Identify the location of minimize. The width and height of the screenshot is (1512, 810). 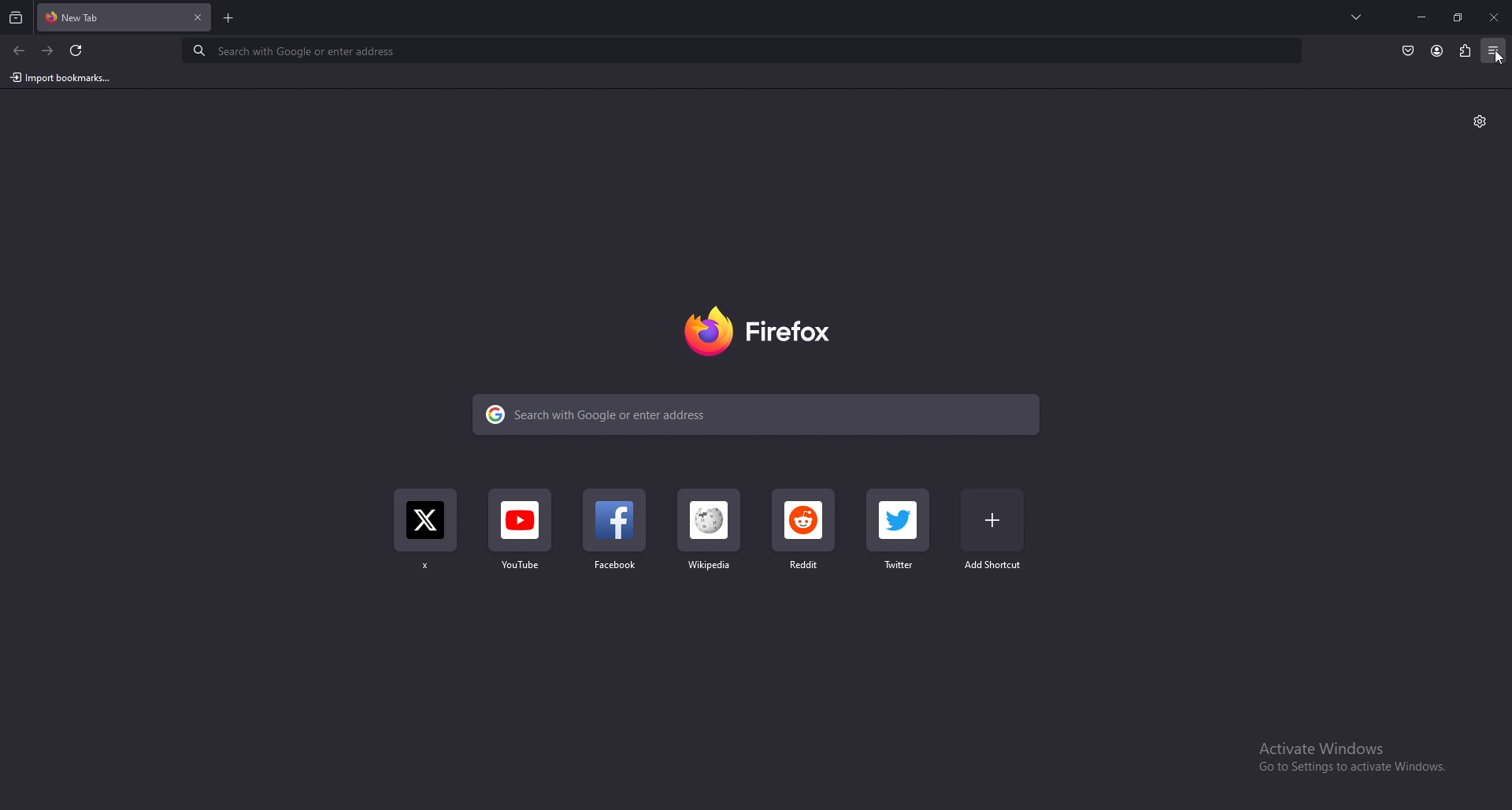
(1423, 17).